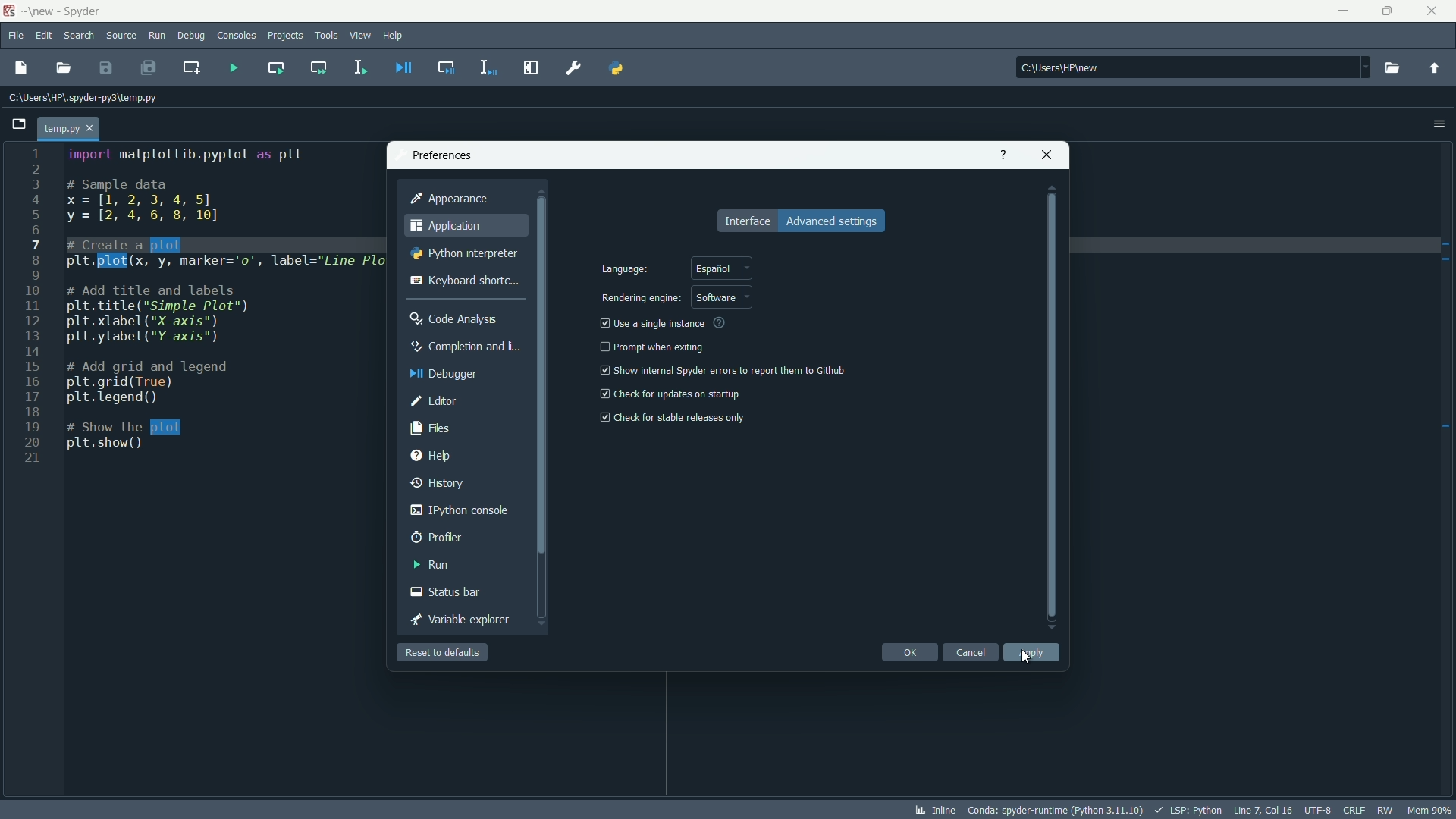 The image size is (1456, 819). Describe the element at coordinates (149, 68) in the screenshot. I see `save all files` at that location.